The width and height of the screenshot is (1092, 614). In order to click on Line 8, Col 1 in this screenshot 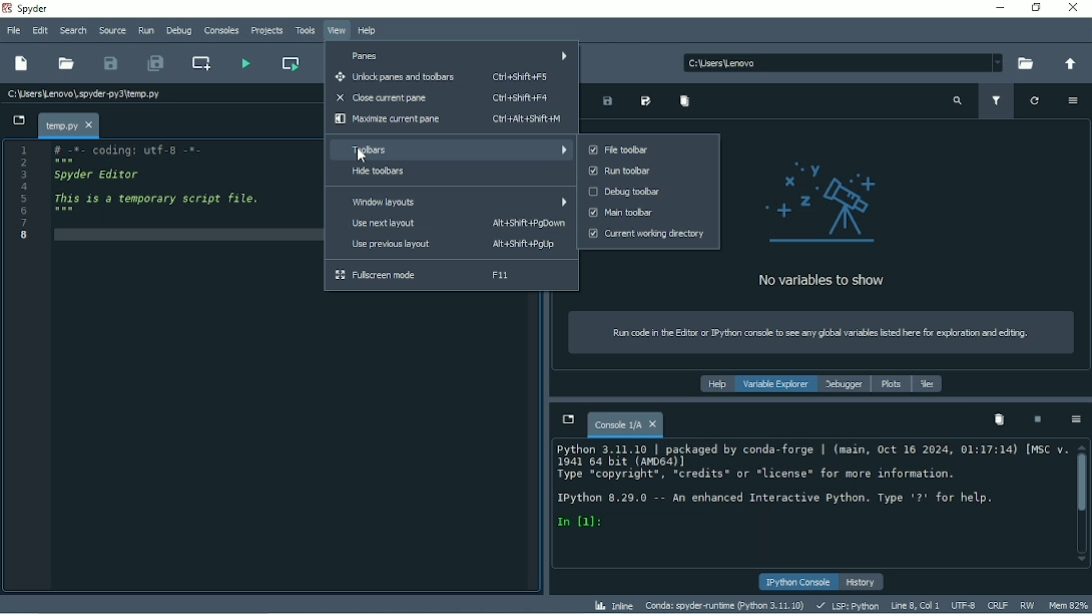, I will do `click(912, 606)`.